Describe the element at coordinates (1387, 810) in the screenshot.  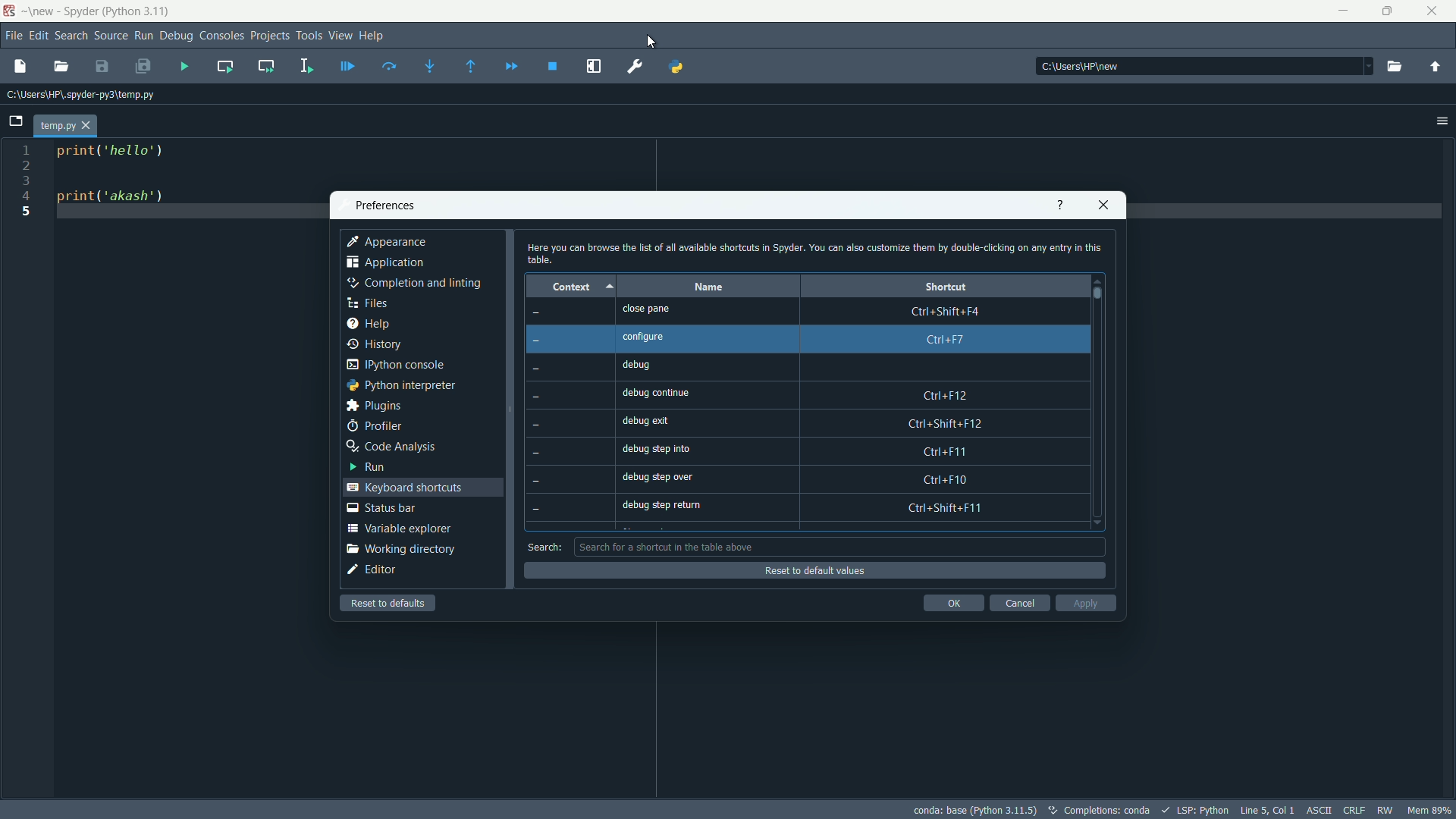
I see `rw` at that location.